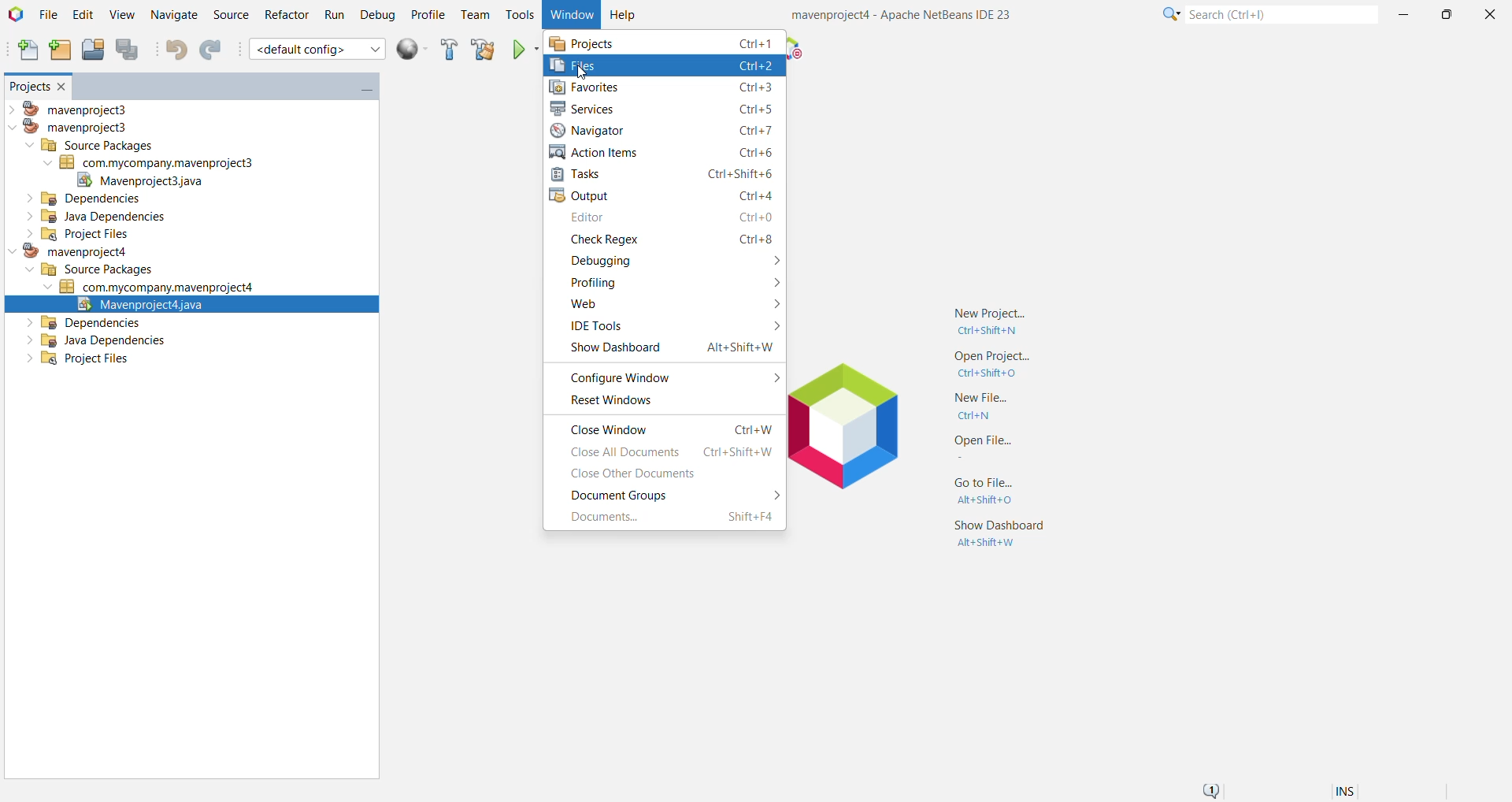 The width and height of the screenshot is (1512, 802). What do you see at coordinates (81, 15) in the screenshot?
I see `Edit` at bounding box center [81, 15].